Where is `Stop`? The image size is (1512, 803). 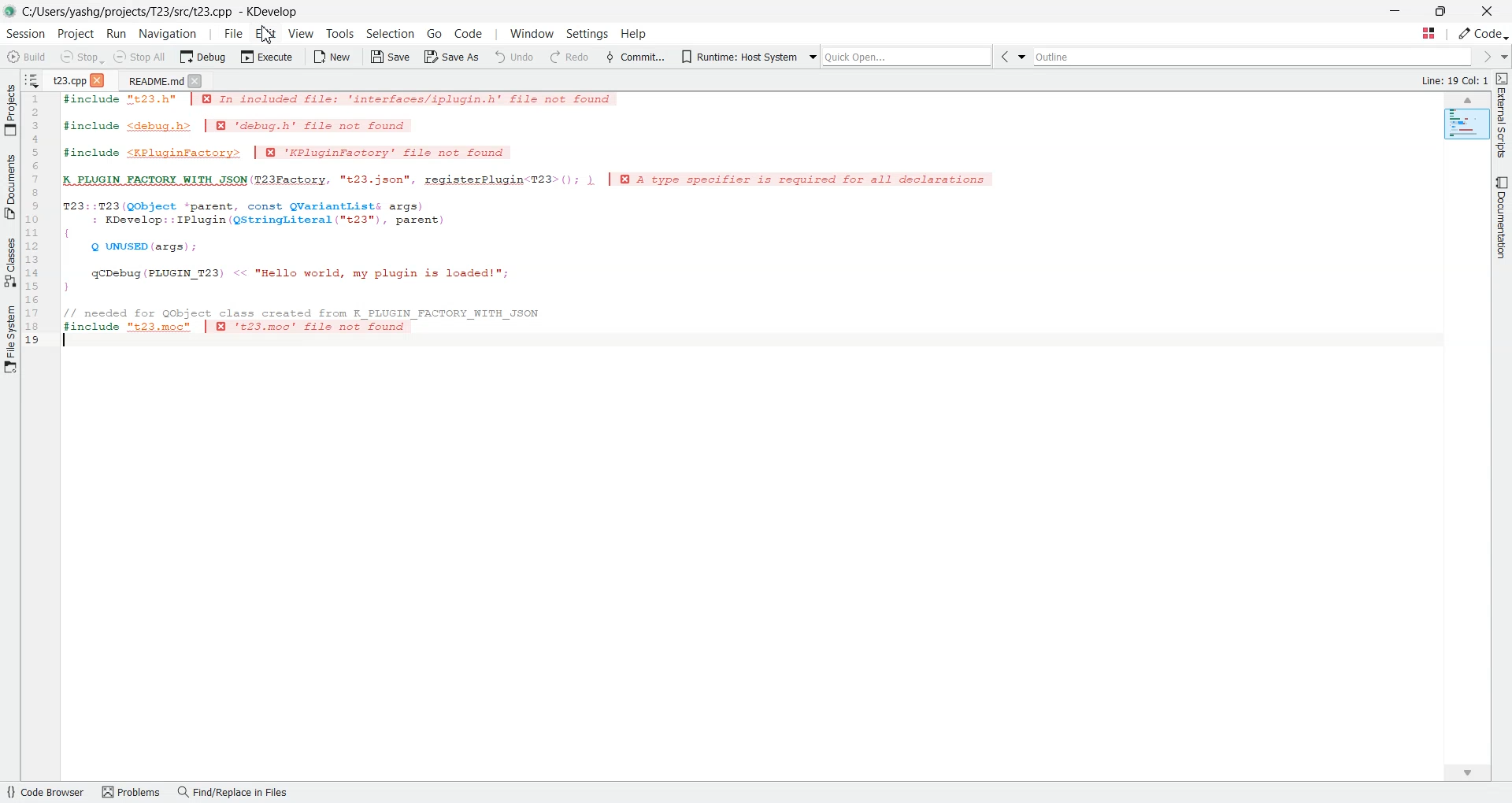
Stop is located at coordinates (81, 57).